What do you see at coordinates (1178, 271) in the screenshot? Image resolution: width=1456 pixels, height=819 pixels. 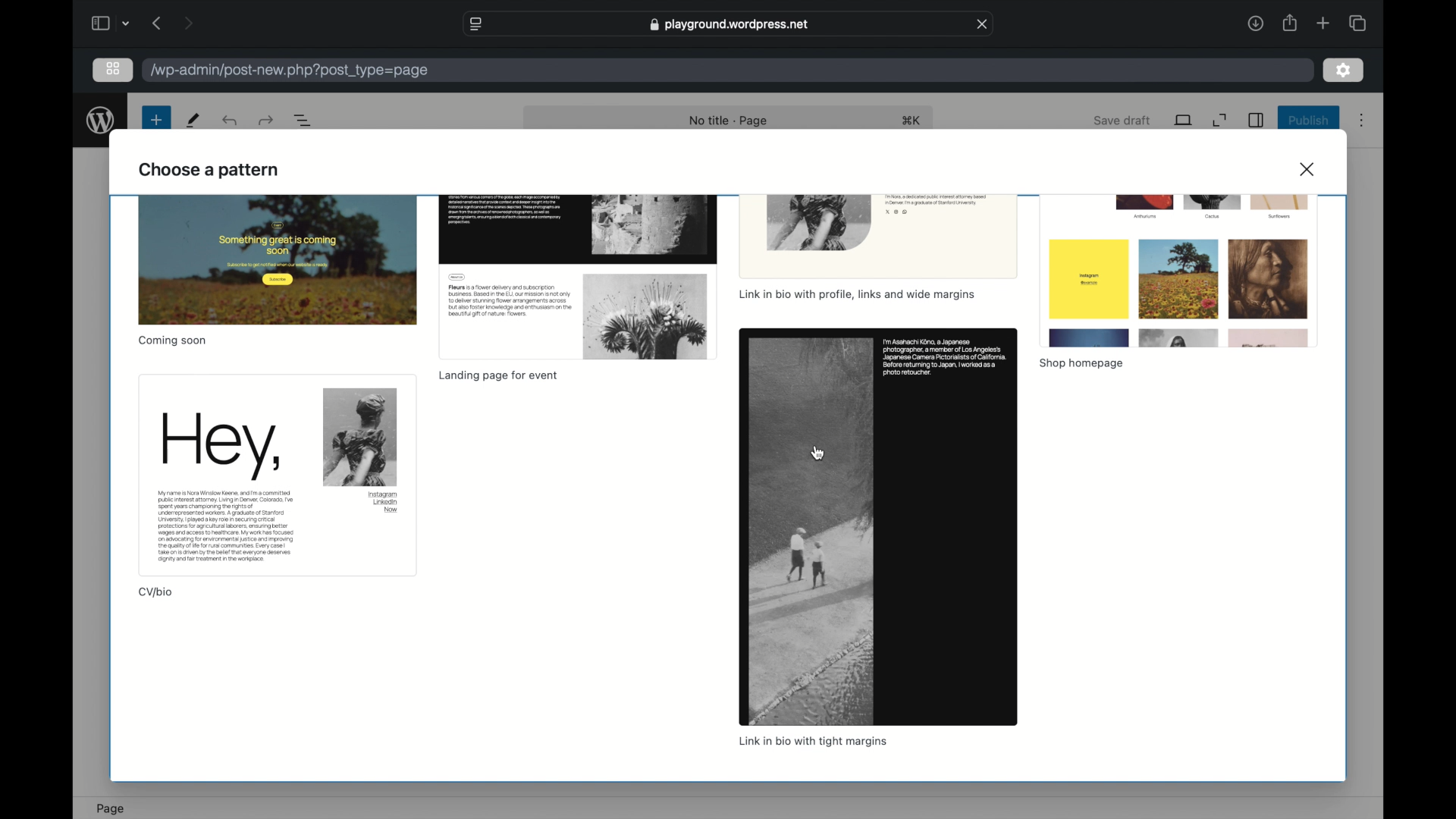 I see `preview` at bounding box center [1178, 271].